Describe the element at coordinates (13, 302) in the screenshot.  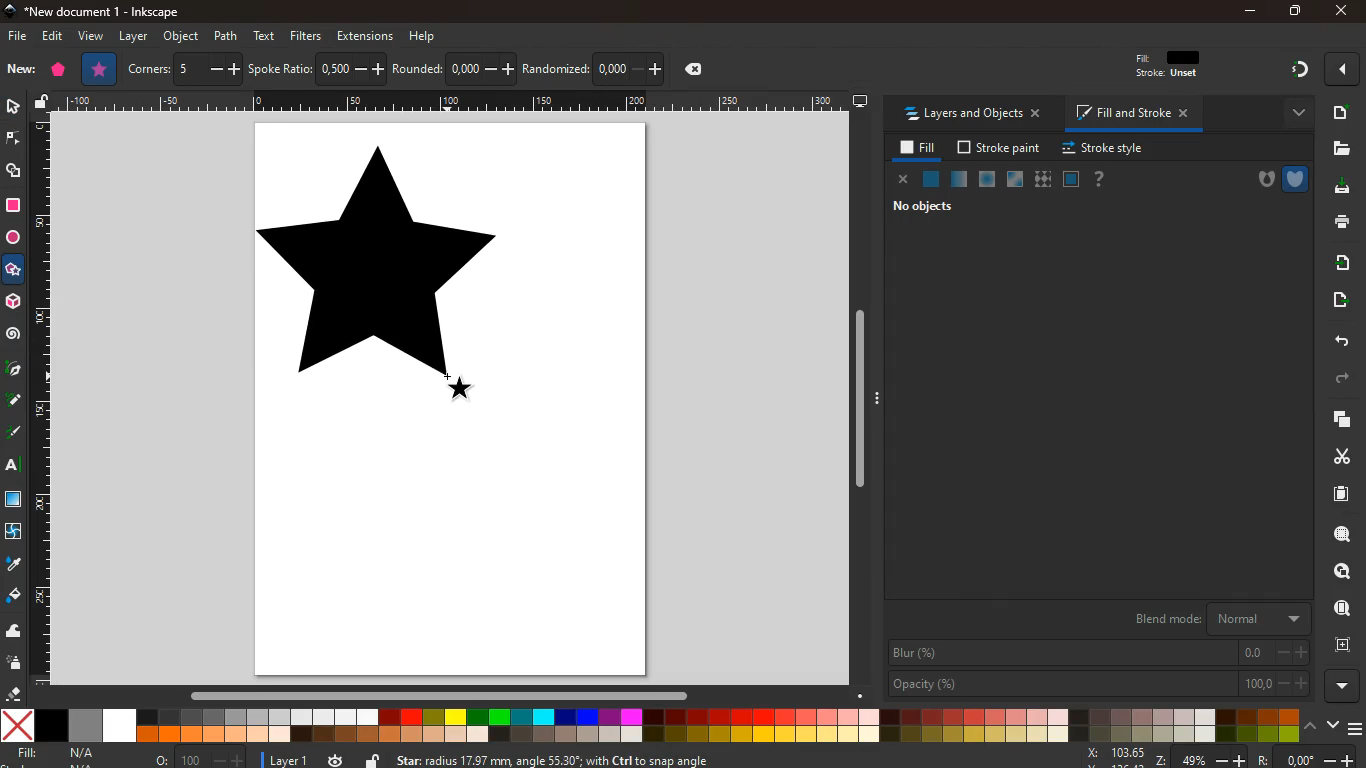
I see `3d tool` at that location.